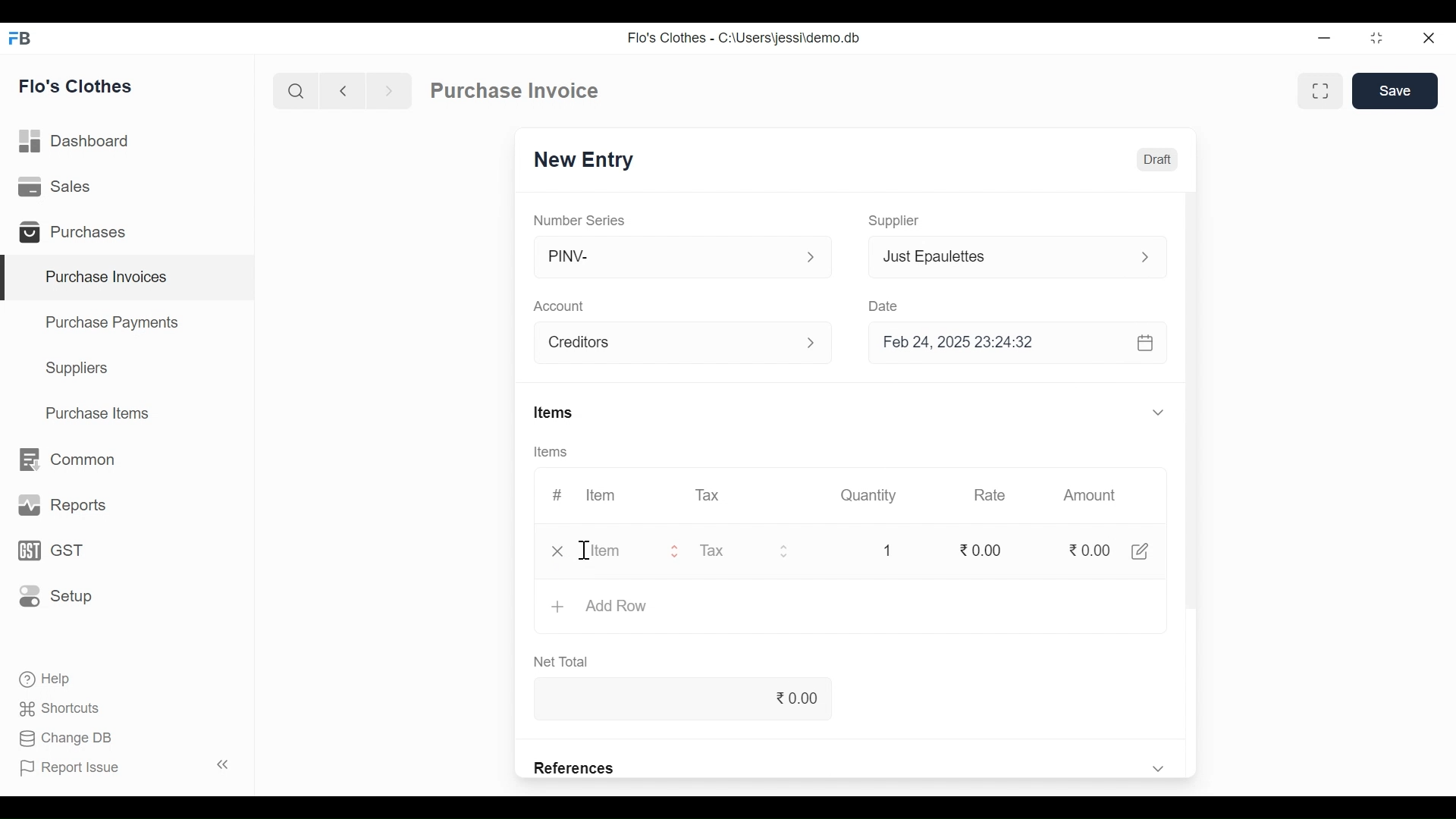  What do you see at coordinates (24, 39) in the screenshot?
I see `Frappe Desktop icon` at bounding box center [24, 39].